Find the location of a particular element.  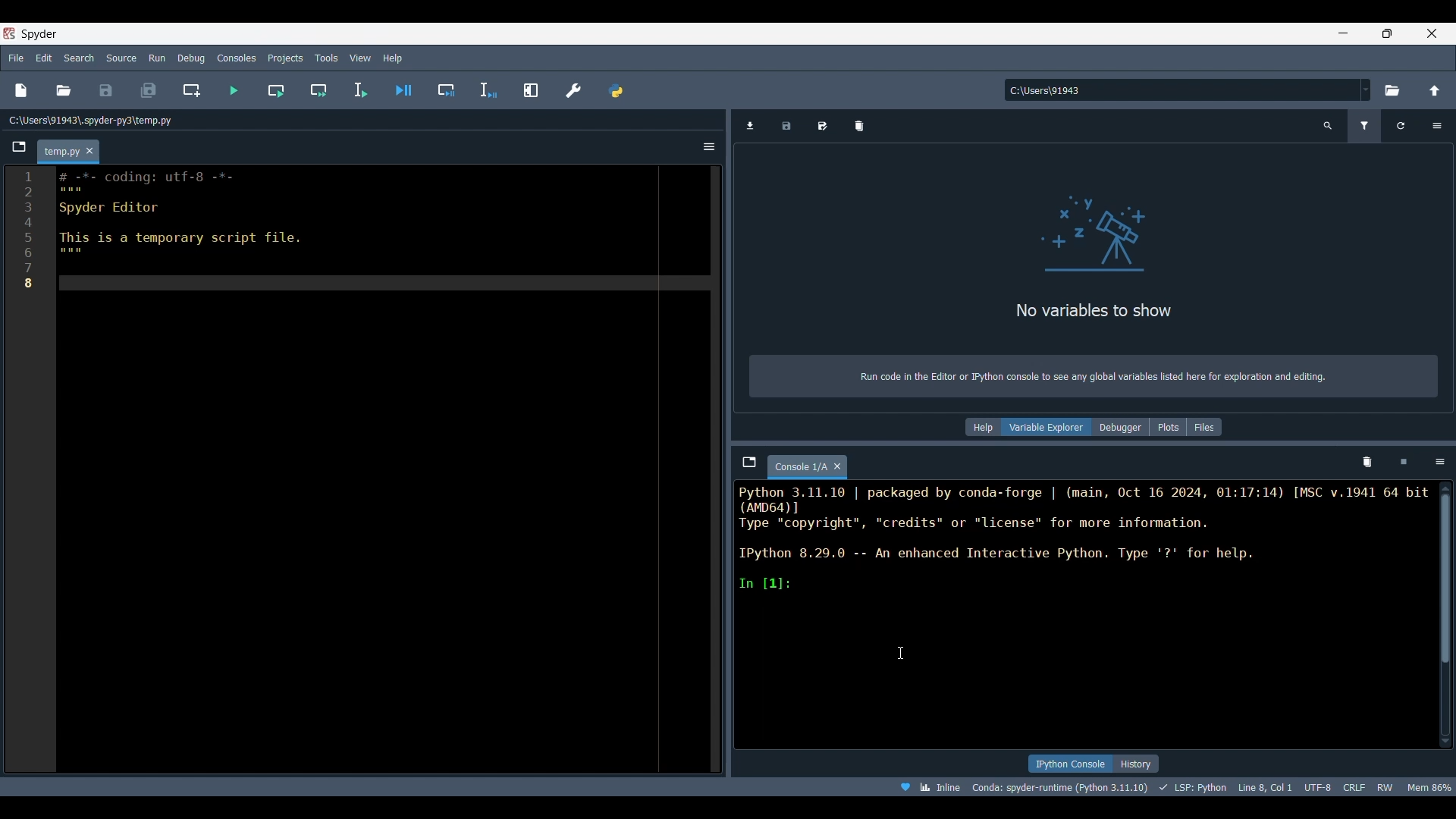

utf-8 is located at coordinates (1319, 785).